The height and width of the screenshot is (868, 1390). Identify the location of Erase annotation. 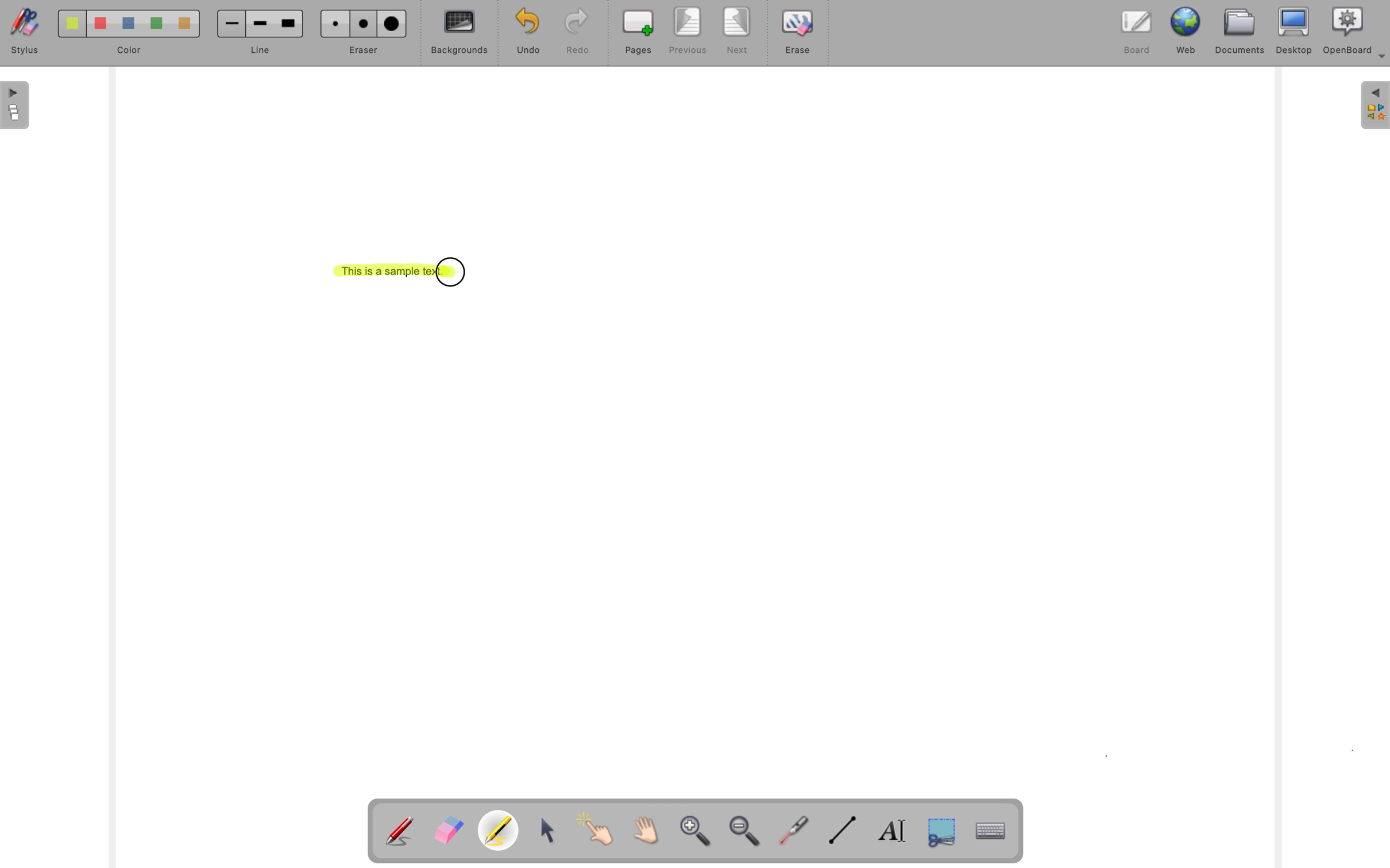
(451, 827).